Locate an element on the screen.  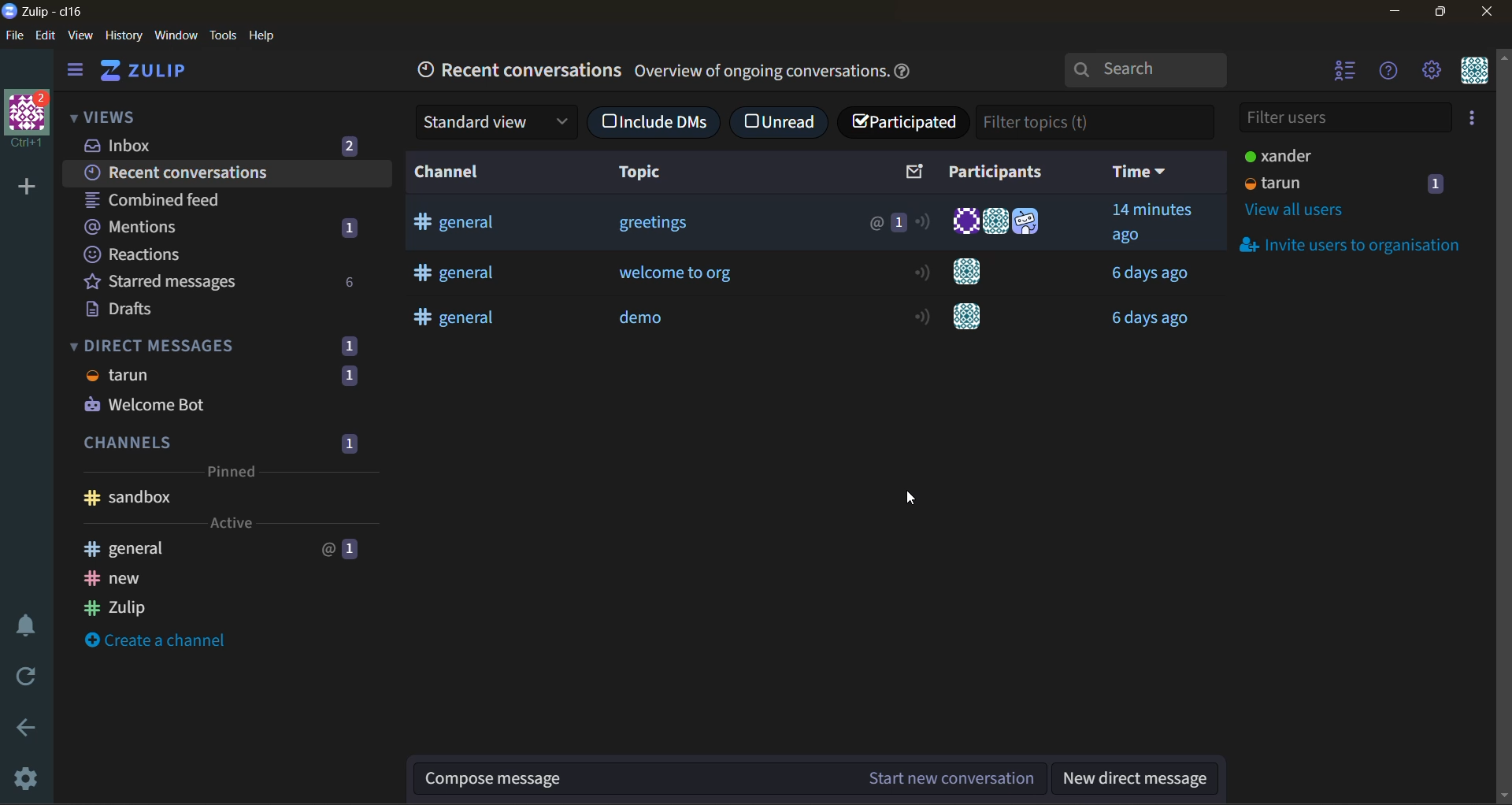
scroll down is located at coordinates (1503, 797).